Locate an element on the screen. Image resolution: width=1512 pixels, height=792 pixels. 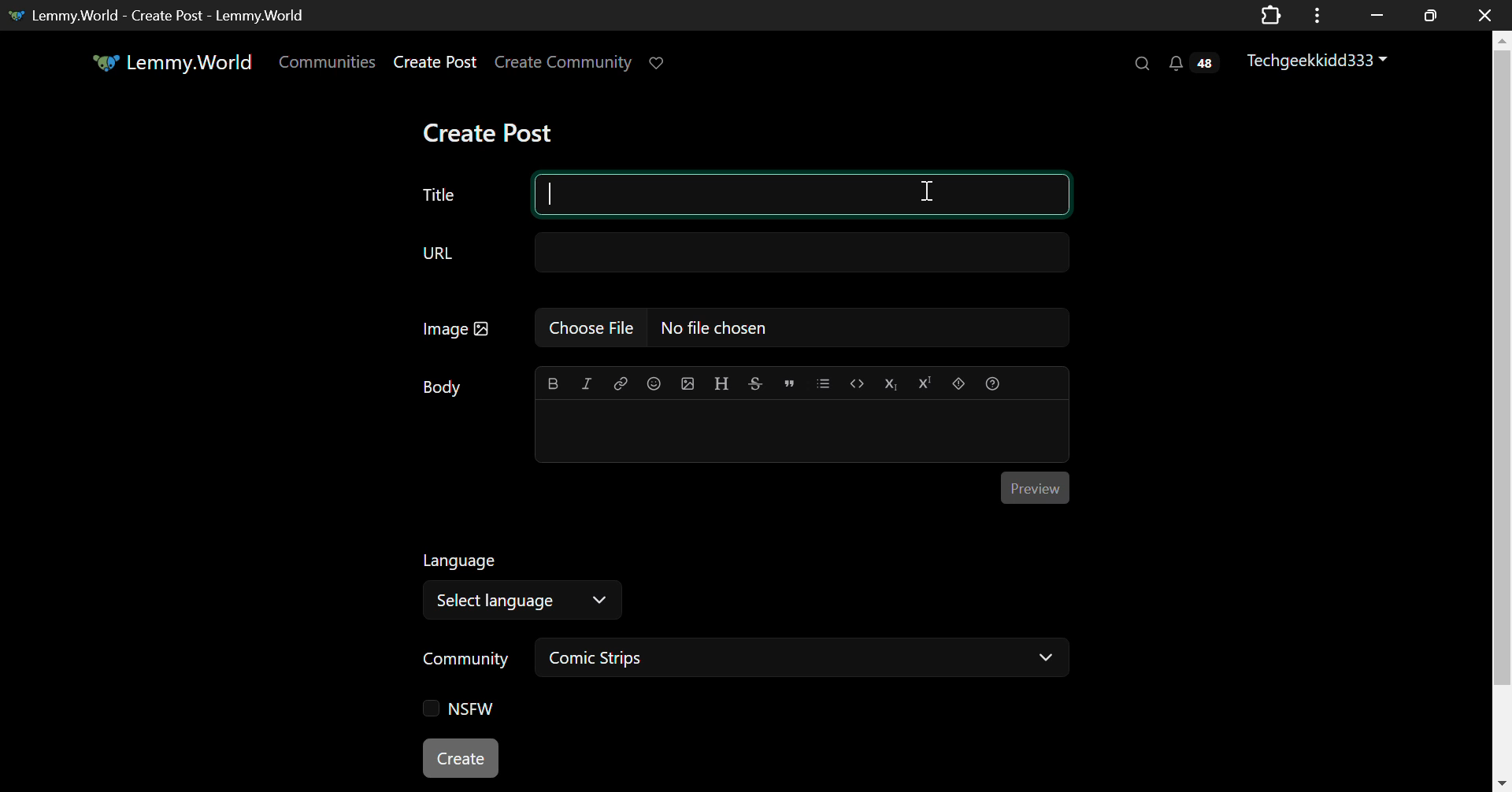
Search  is located at coordinates (1141, 63).